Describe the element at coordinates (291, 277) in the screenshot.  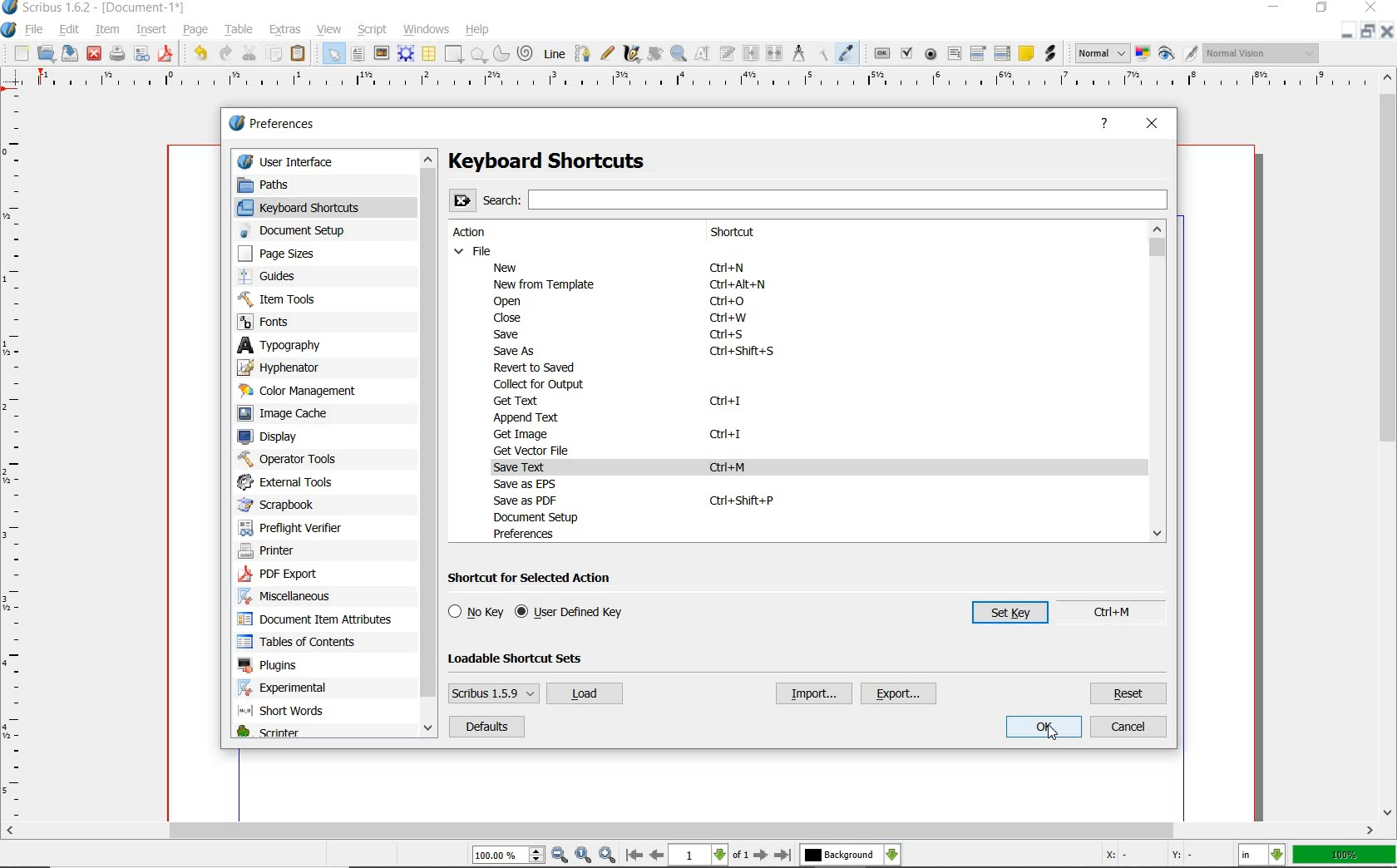
I see `guides` at that location.